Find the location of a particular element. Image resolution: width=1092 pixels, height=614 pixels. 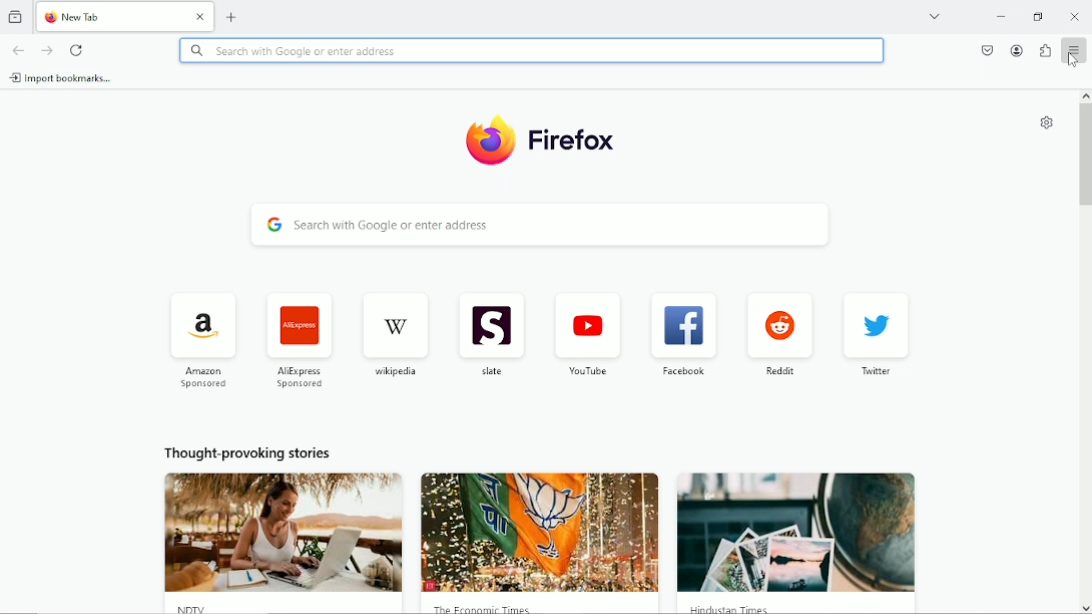

image is located at coordinates (541, 533).